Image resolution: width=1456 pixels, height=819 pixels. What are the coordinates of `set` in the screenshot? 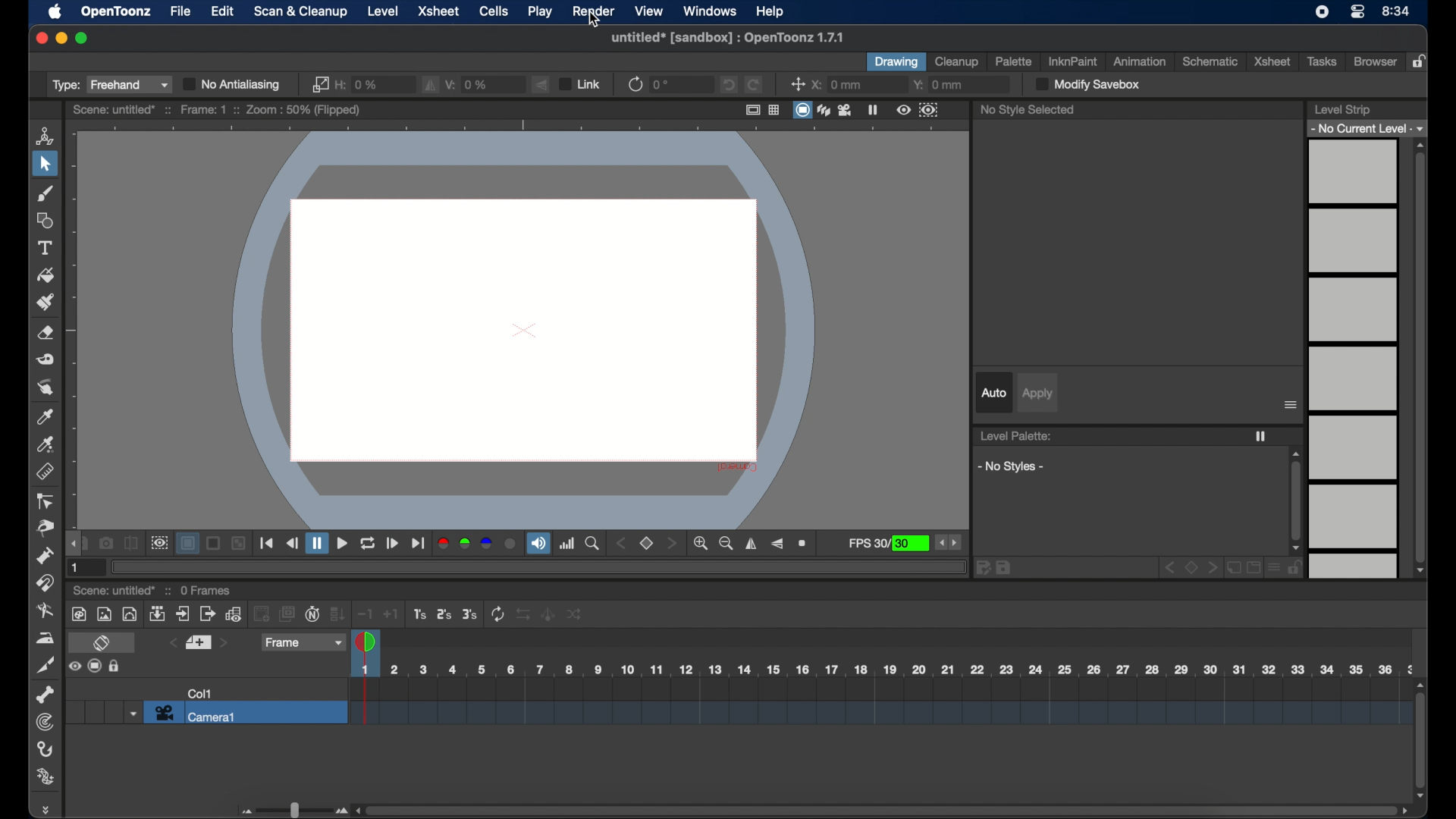 It's located at (648, 544).